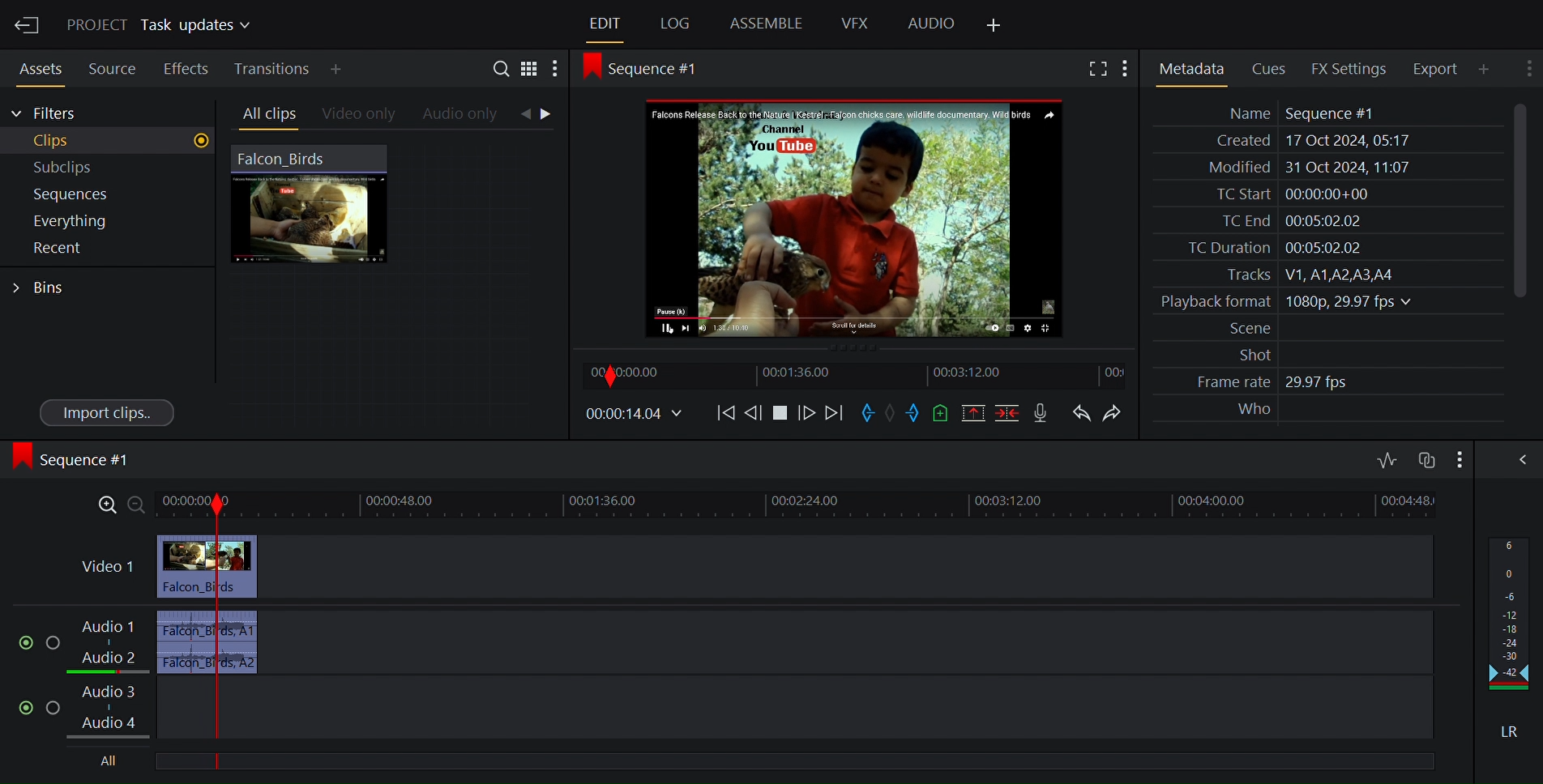  I want to click on TC Duration  00:05:02.02, so click(1263, 248).